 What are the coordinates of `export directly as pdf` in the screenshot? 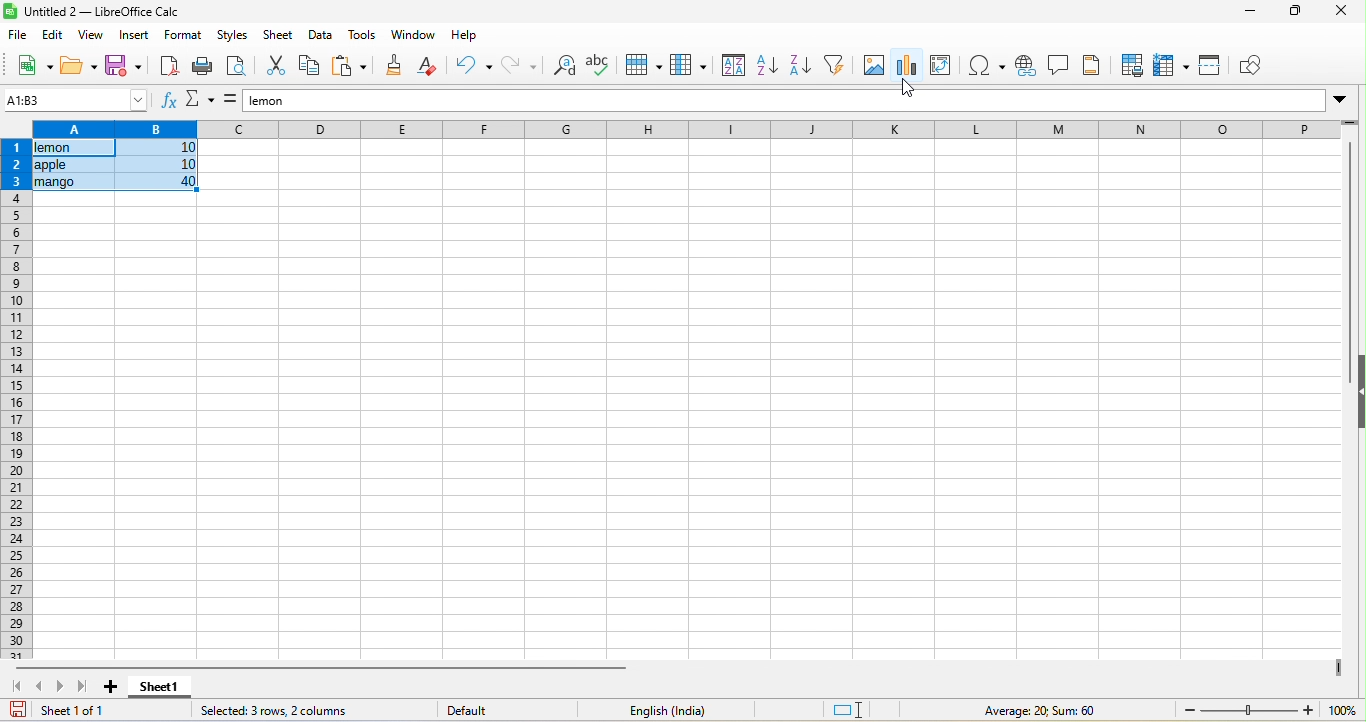 It's located at (165, 64).